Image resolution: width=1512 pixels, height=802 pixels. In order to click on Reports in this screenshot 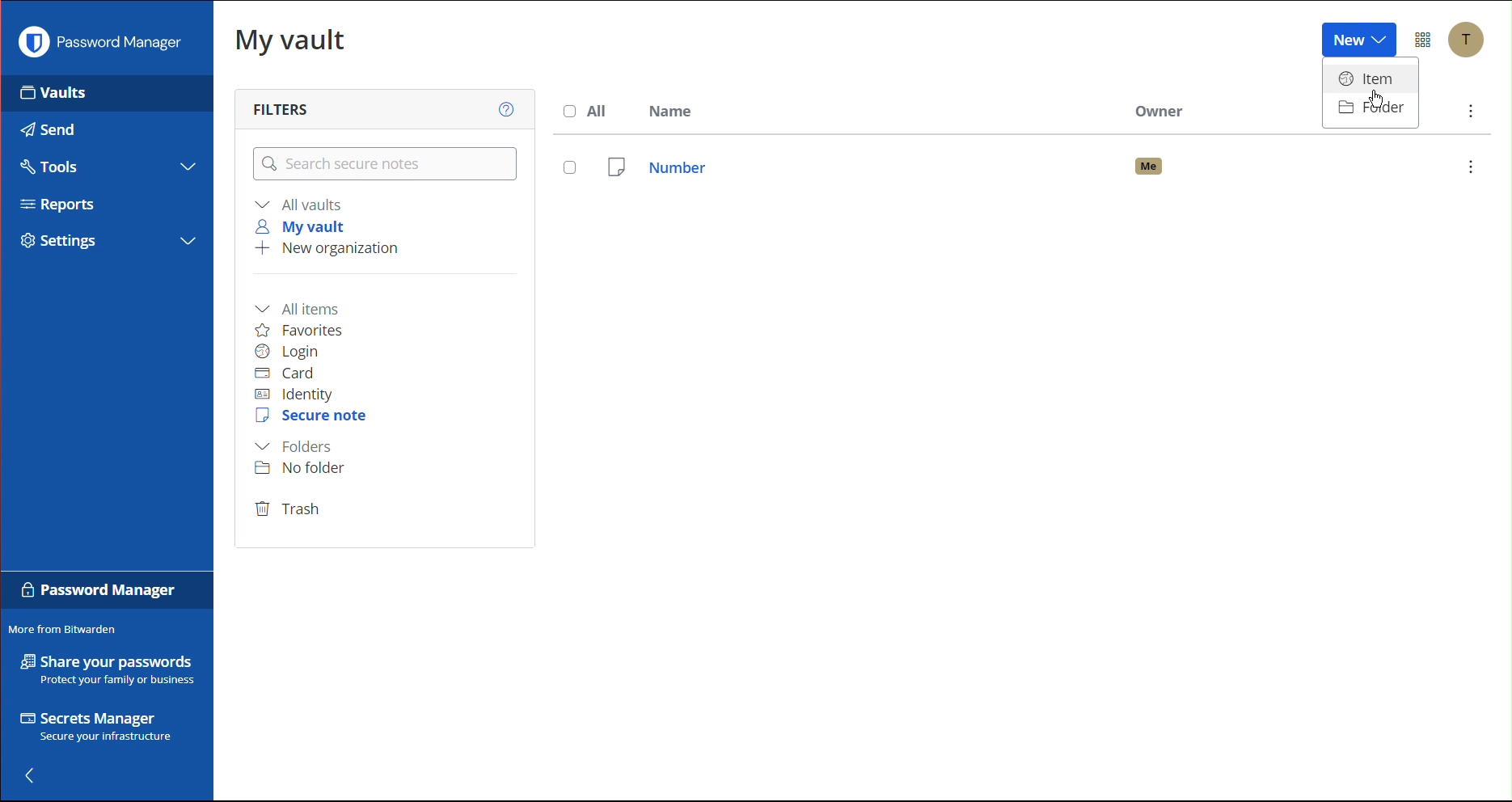, I will do `click(65, 207)`.